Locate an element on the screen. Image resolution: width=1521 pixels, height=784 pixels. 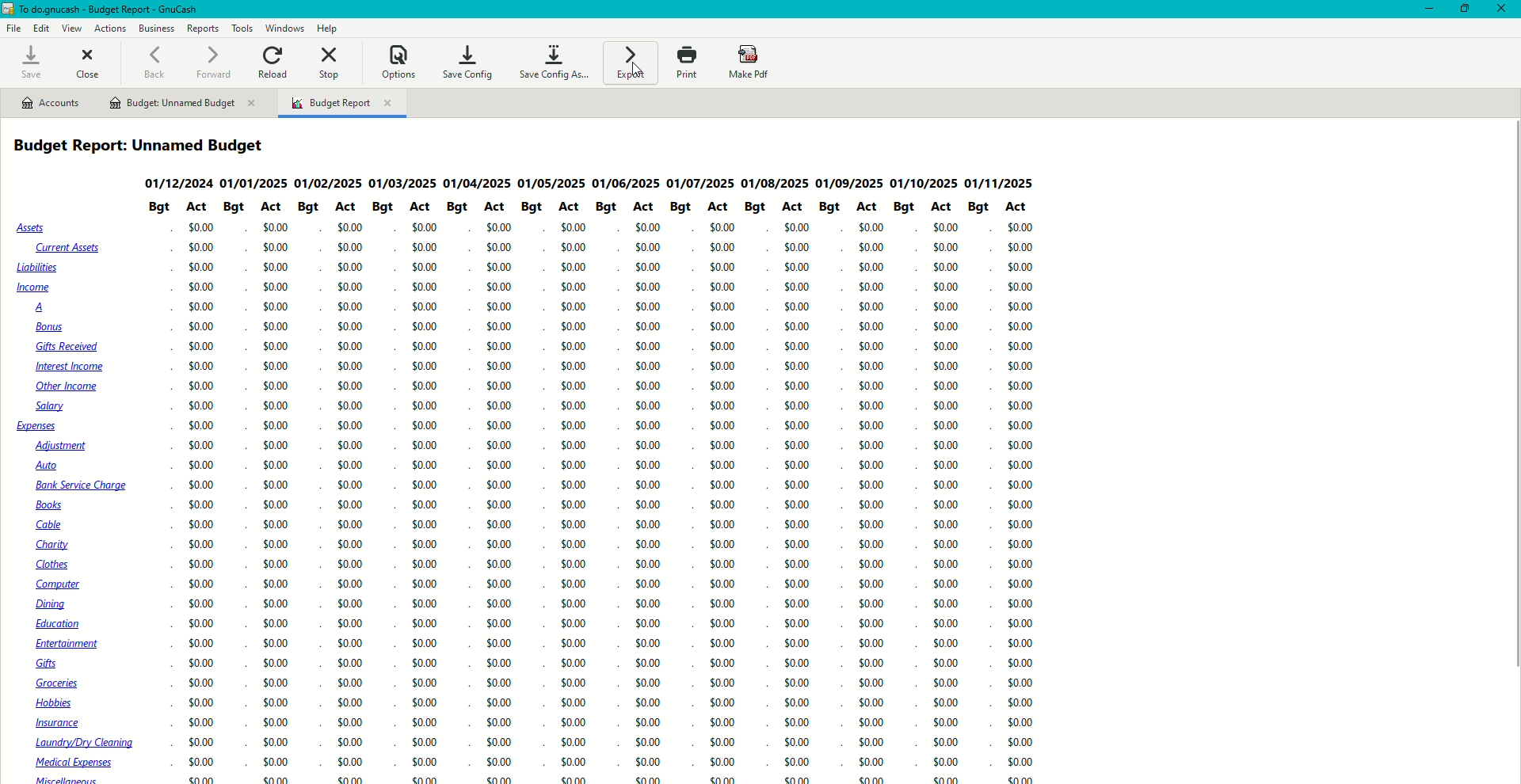
$0.00 is located at coordinates (425, 347).